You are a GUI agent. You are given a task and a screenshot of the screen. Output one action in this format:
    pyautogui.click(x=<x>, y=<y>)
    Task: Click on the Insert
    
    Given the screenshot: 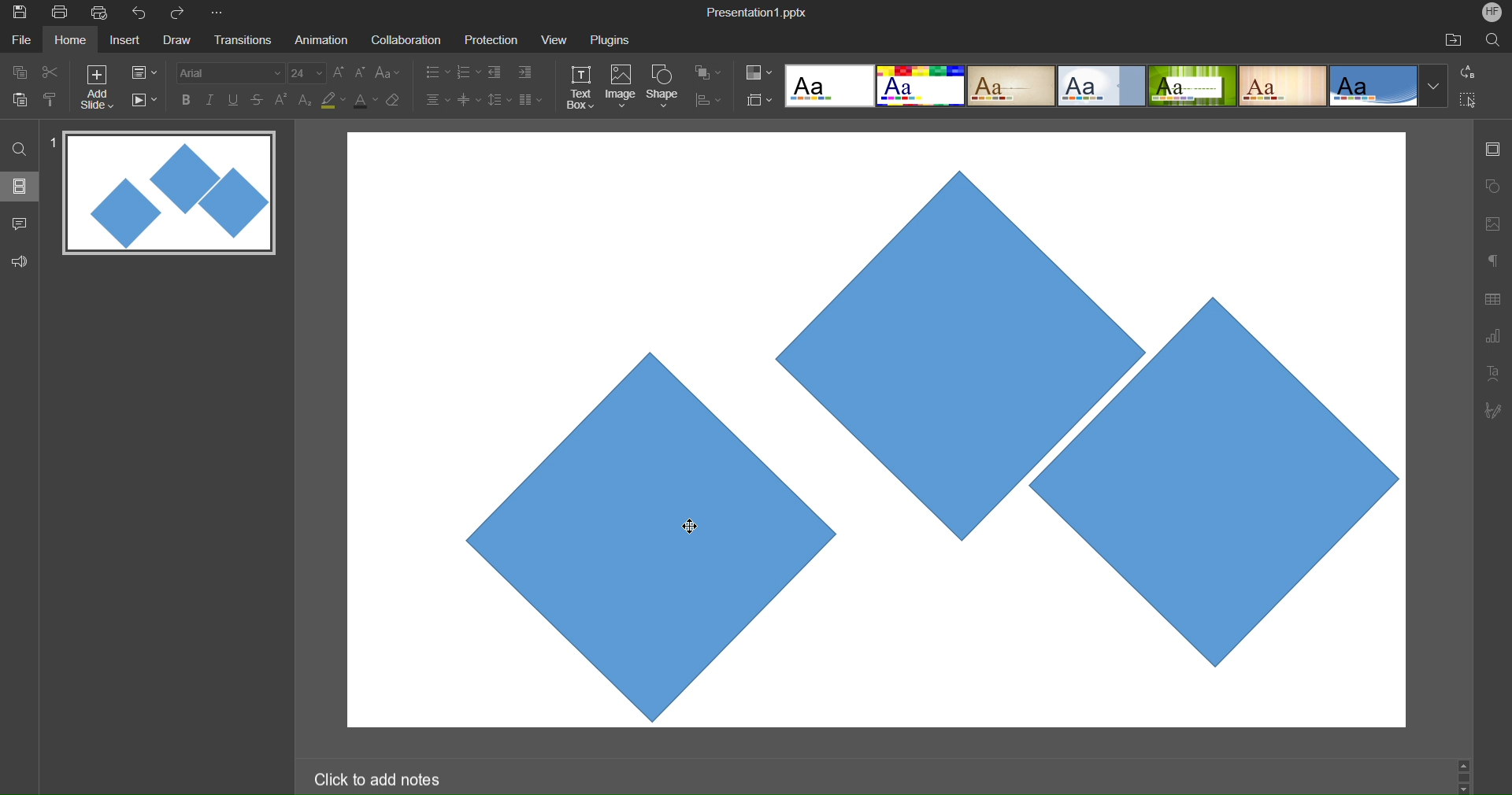 What is the action you would take?
    pyautogui.click(x=123, y=41)
    